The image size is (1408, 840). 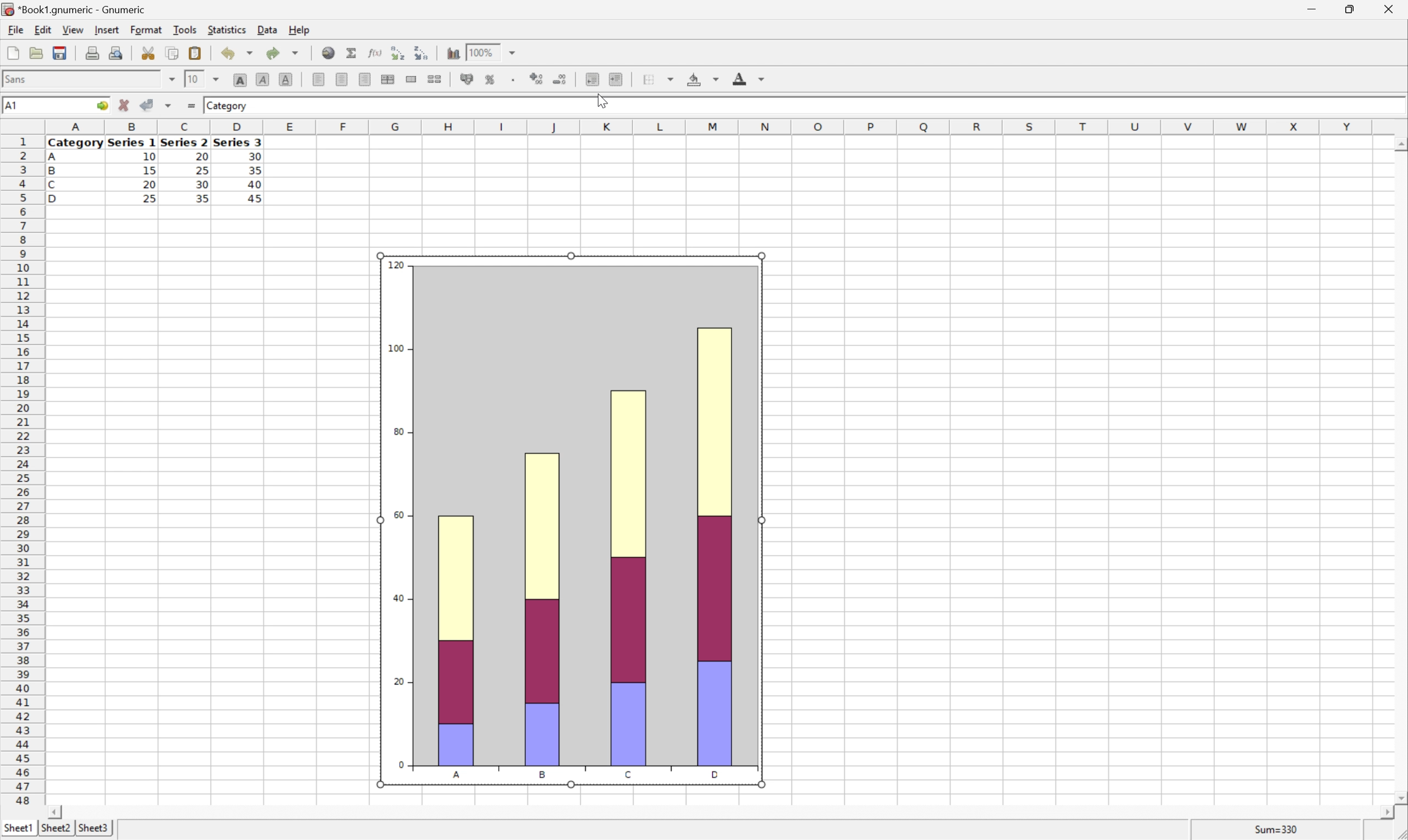 What do you see at coordinates (255, 182) in the screenshot?
I see `40` at bounding box center [255, 182].